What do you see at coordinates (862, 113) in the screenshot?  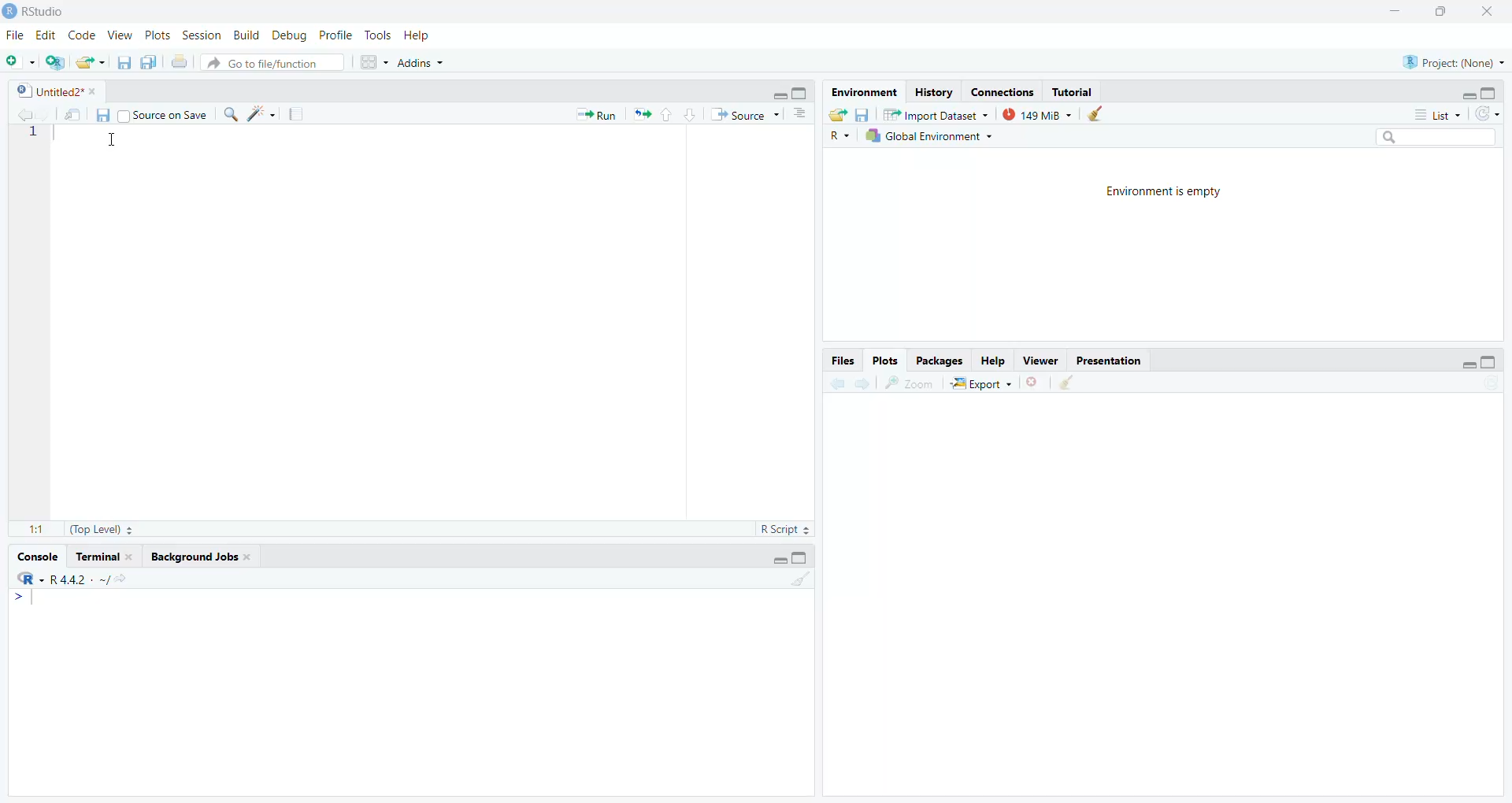 I see `Save workspace as` at bounding box center [862, 113].